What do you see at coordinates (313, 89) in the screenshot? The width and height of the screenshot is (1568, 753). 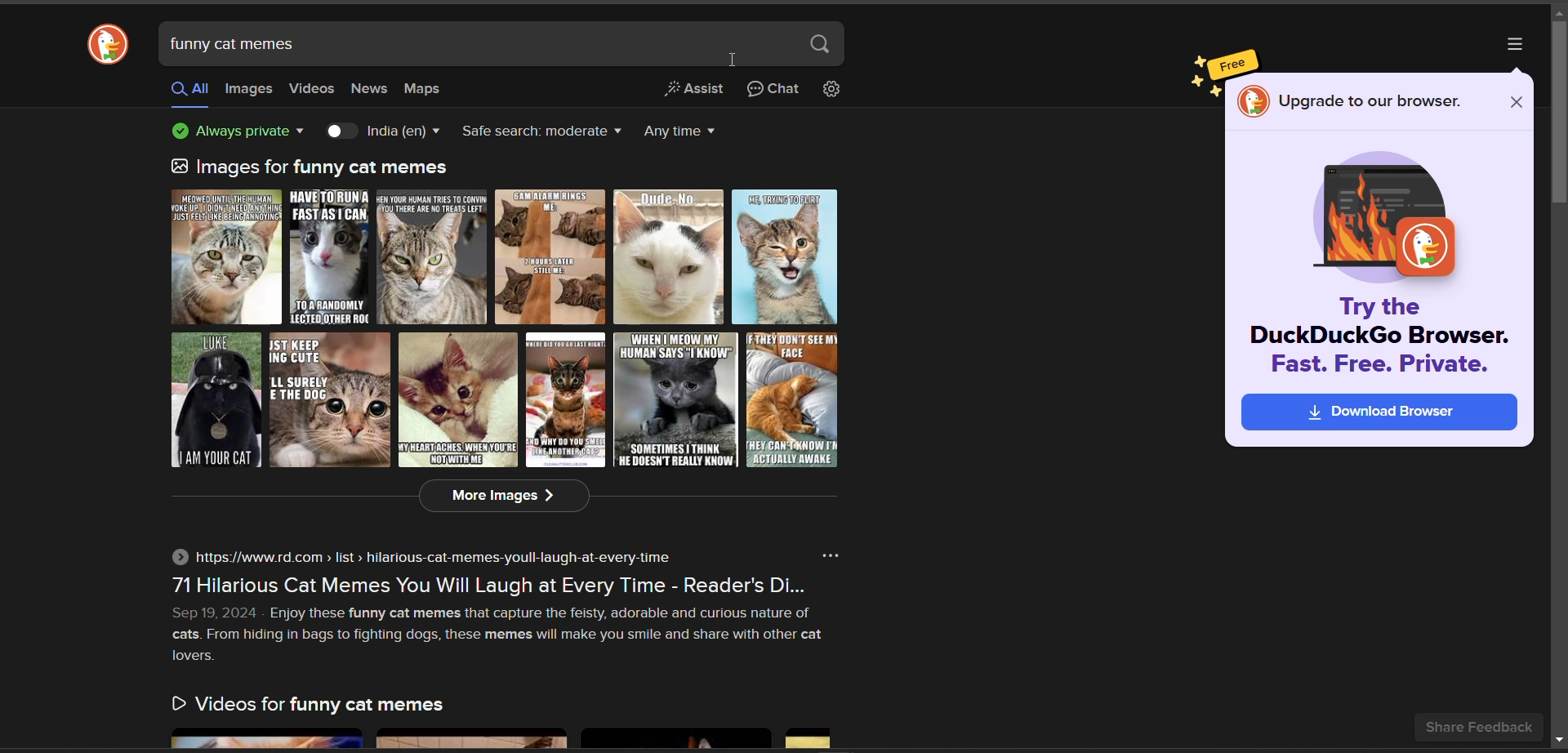 I see `videos` at bounding box center [313, 89].